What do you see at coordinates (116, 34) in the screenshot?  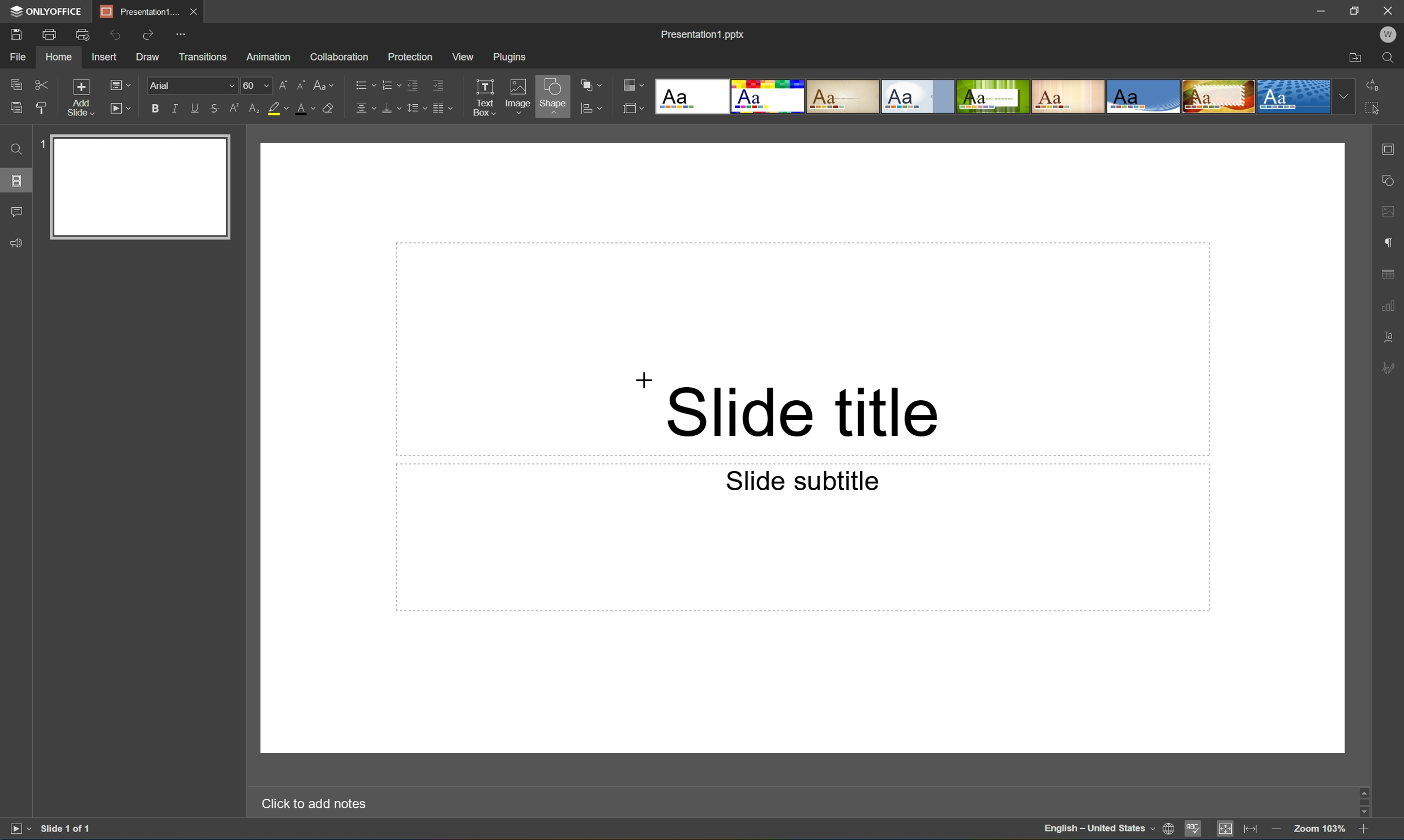 I see `Undo` at bounding box center [116, 34].